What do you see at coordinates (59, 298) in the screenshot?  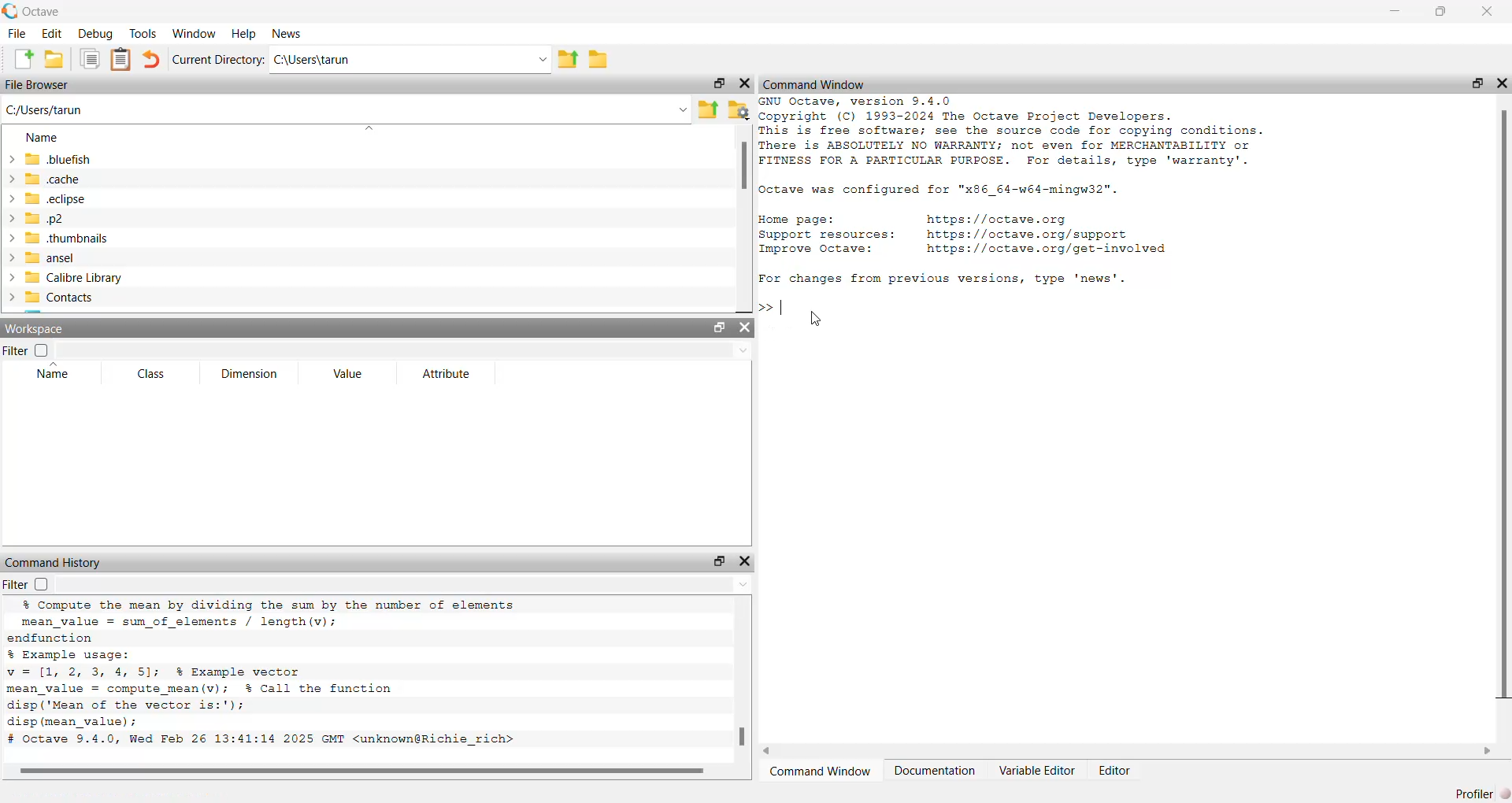 I see `Contacts` at bounding box center [59, 298].